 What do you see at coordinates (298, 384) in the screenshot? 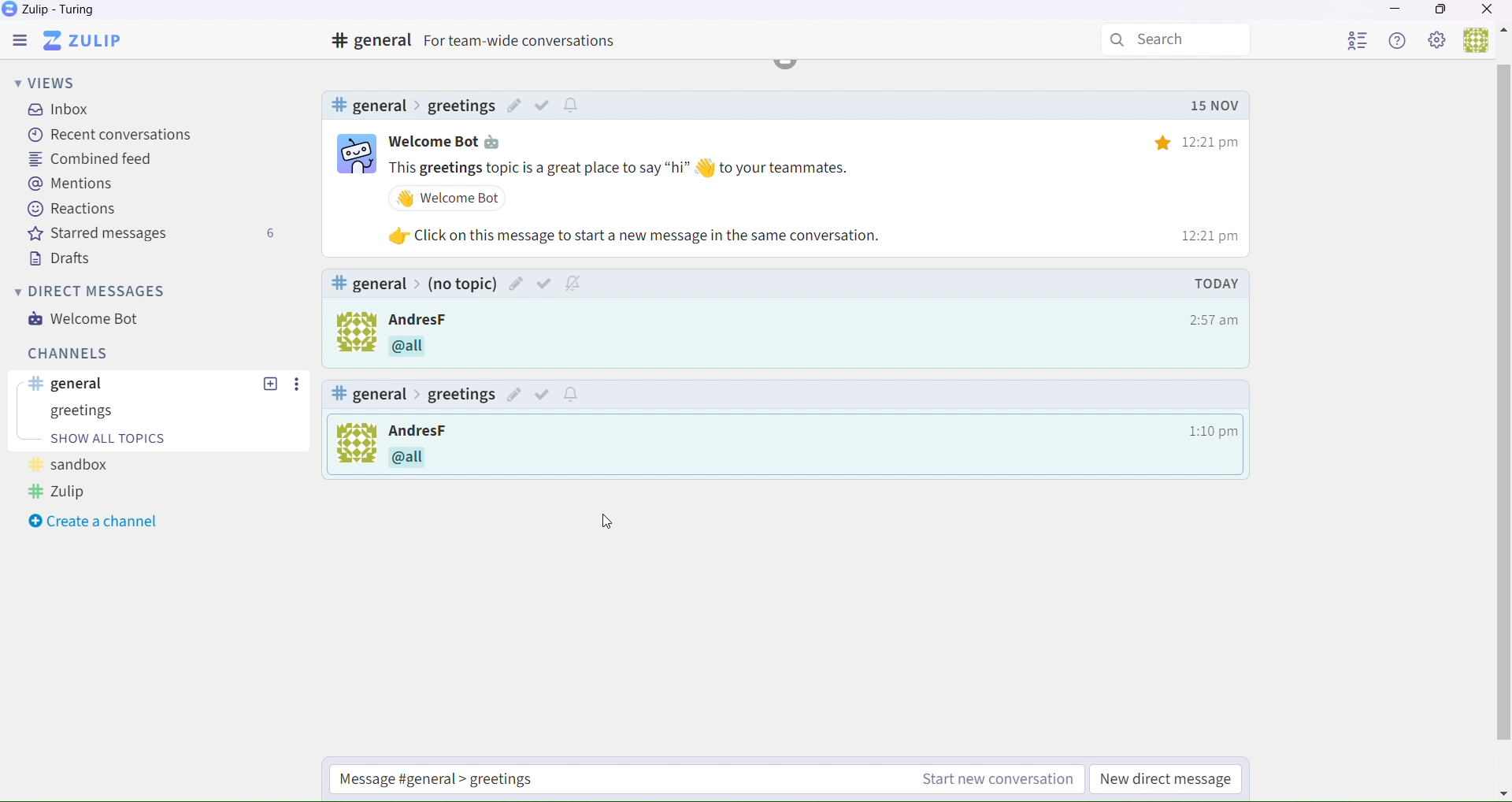
I see `` at bounding box center [298, 384].